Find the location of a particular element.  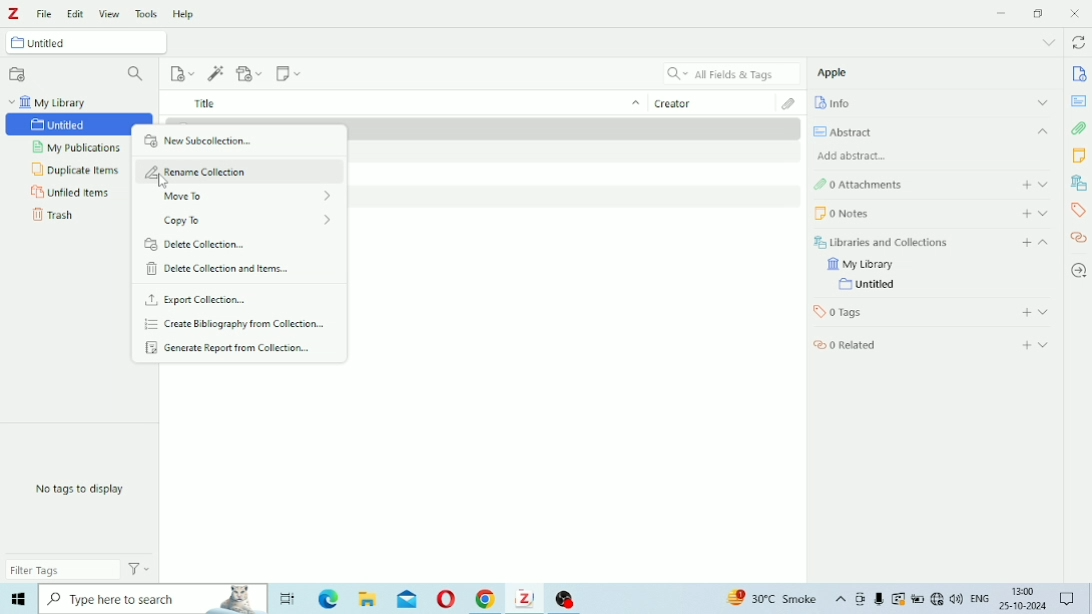

Add is located at coordinates (1027, 312).